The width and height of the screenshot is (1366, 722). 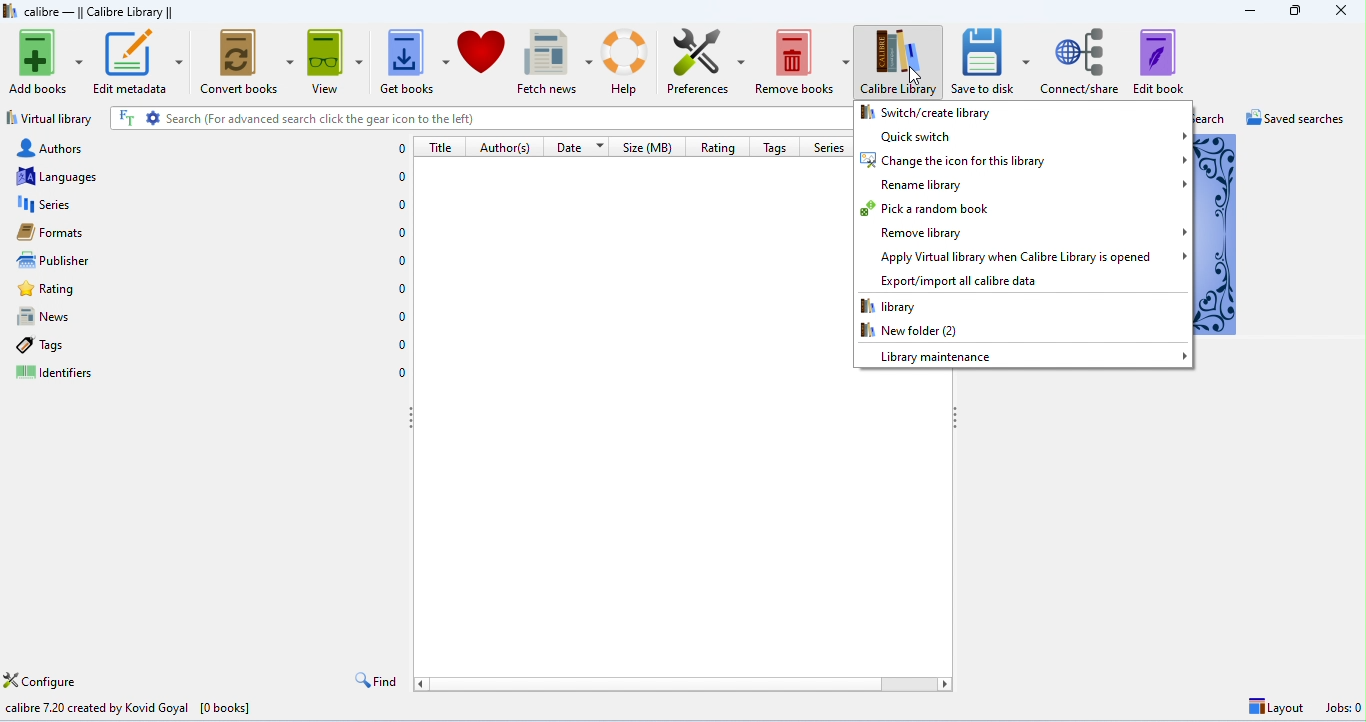 What do you see at coordinates (1023, 161) in the screenshot?
I see `change the icon for this library` at bounding box center [1023, 161].